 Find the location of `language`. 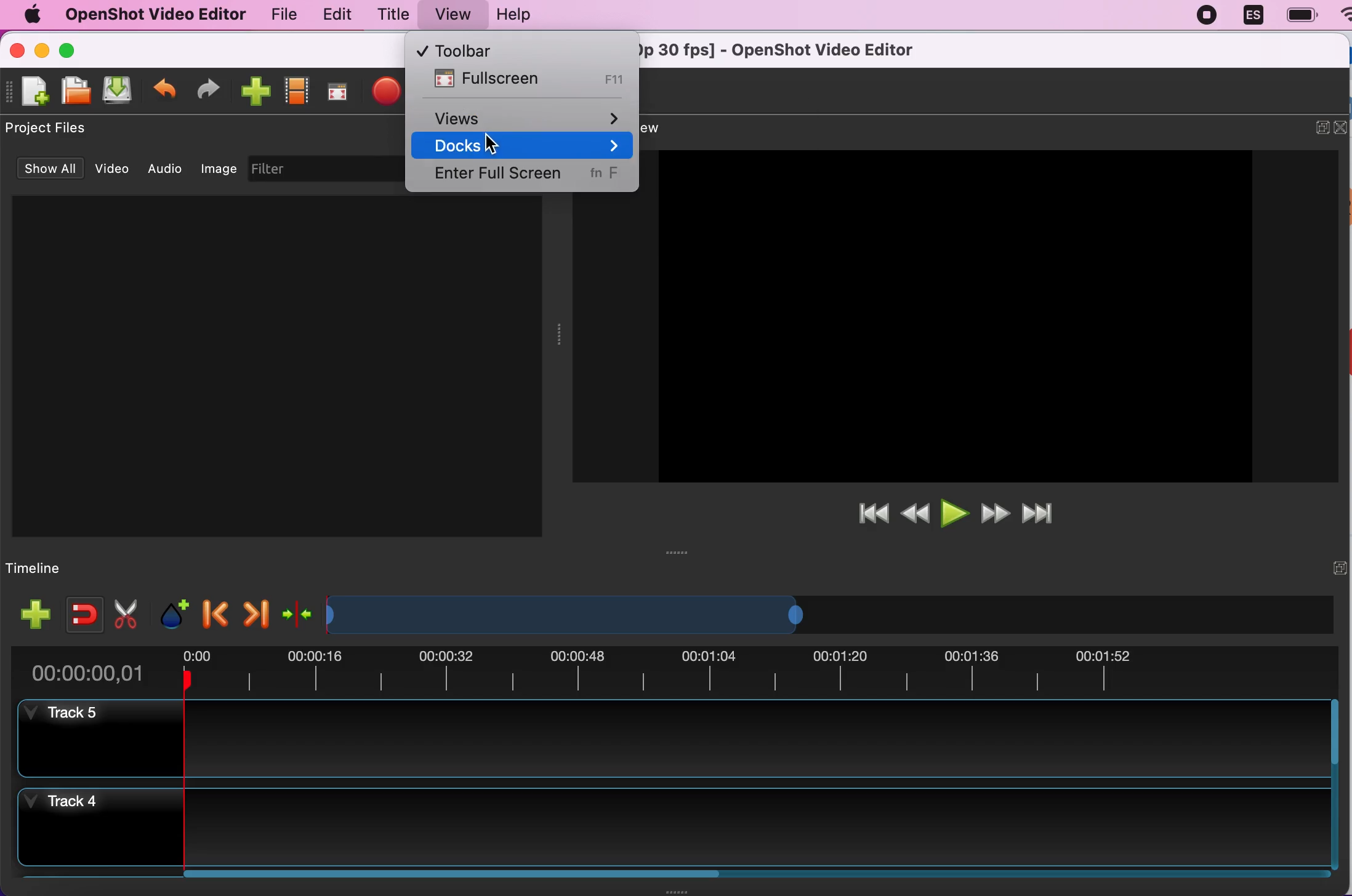

language is located at coordinates (1248, 15).